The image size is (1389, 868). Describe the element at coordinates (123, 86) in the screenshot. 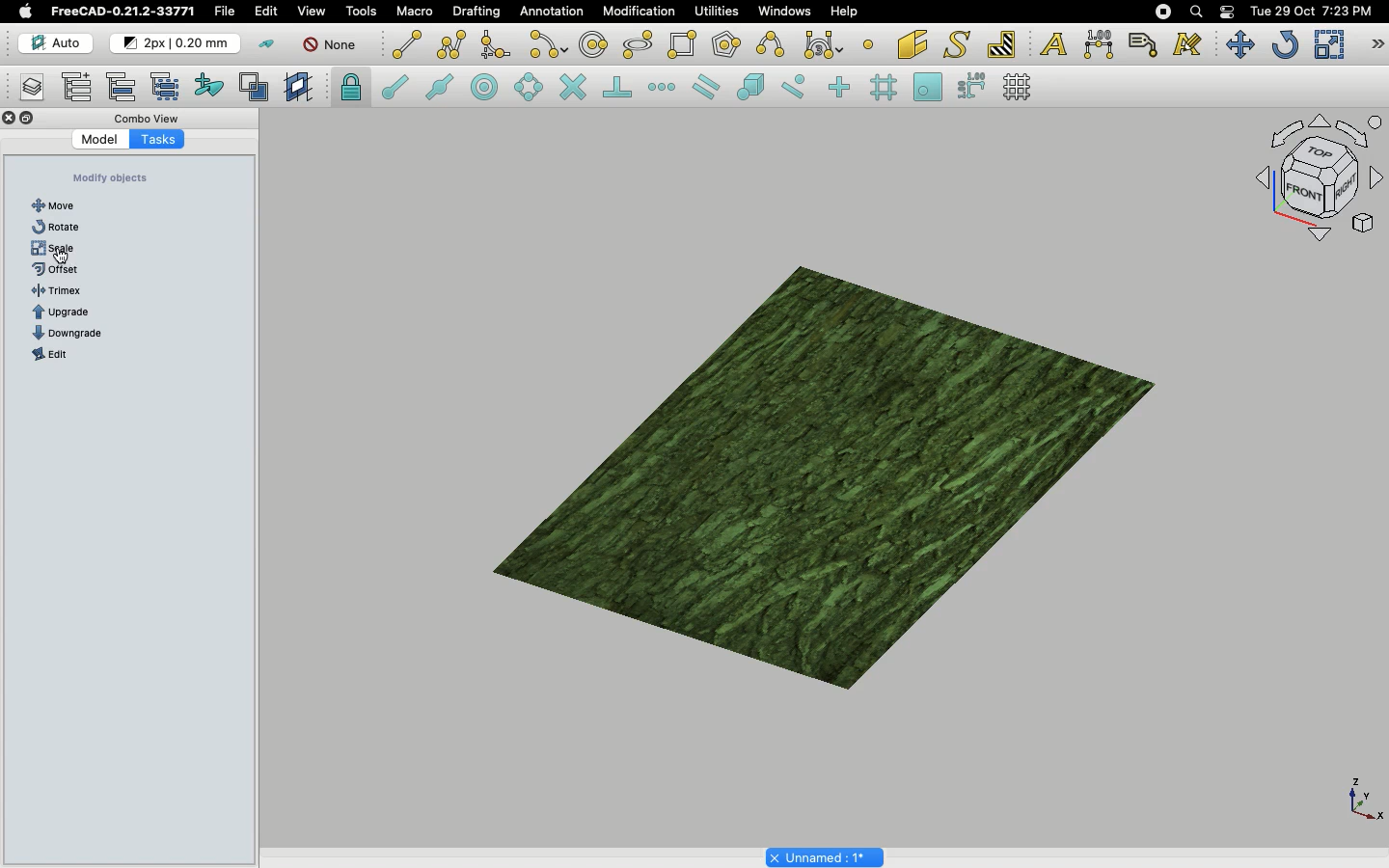

I see `Move to group` at that location.